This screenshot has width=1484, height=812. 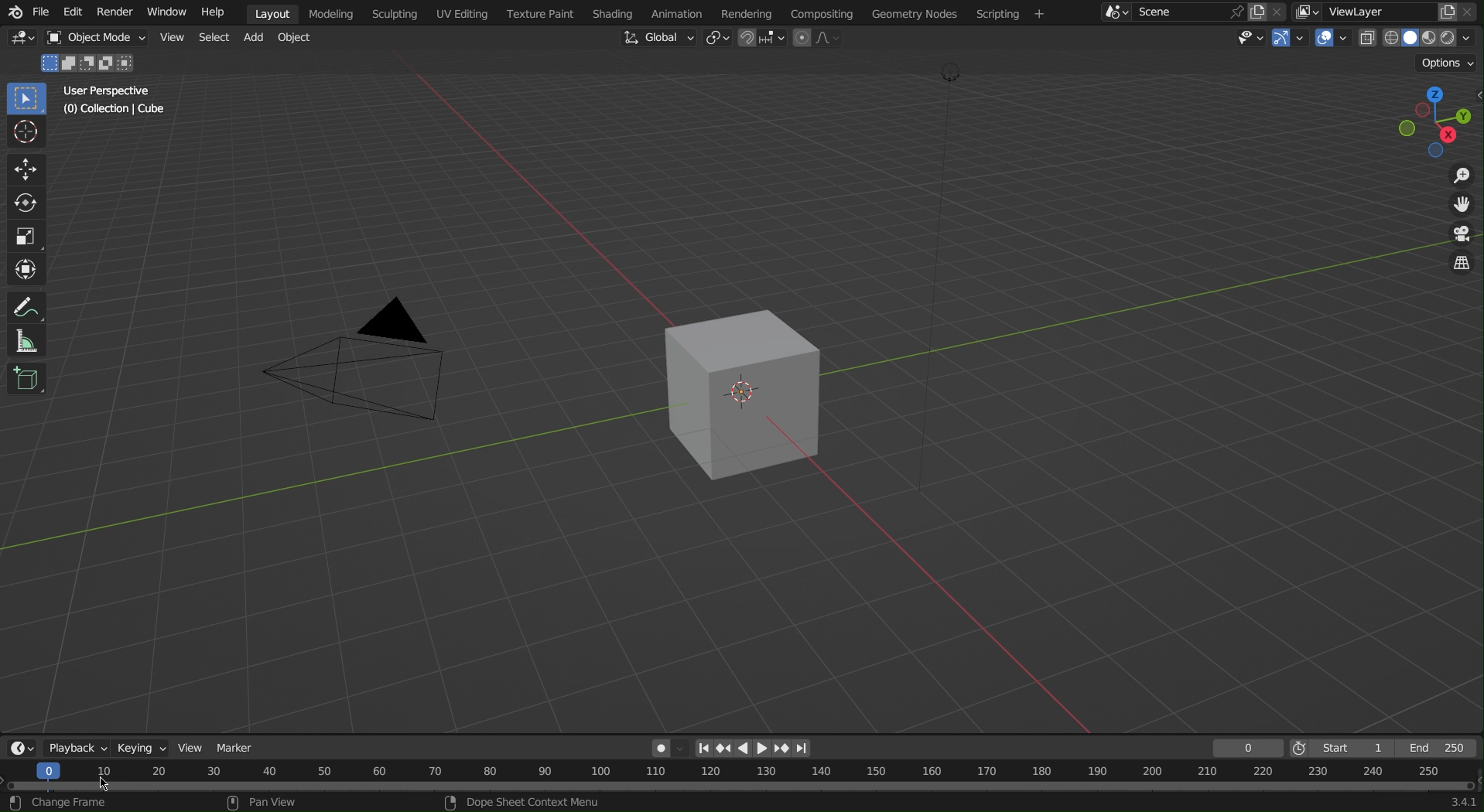 I want to click on File, so click(x=46, y=12).